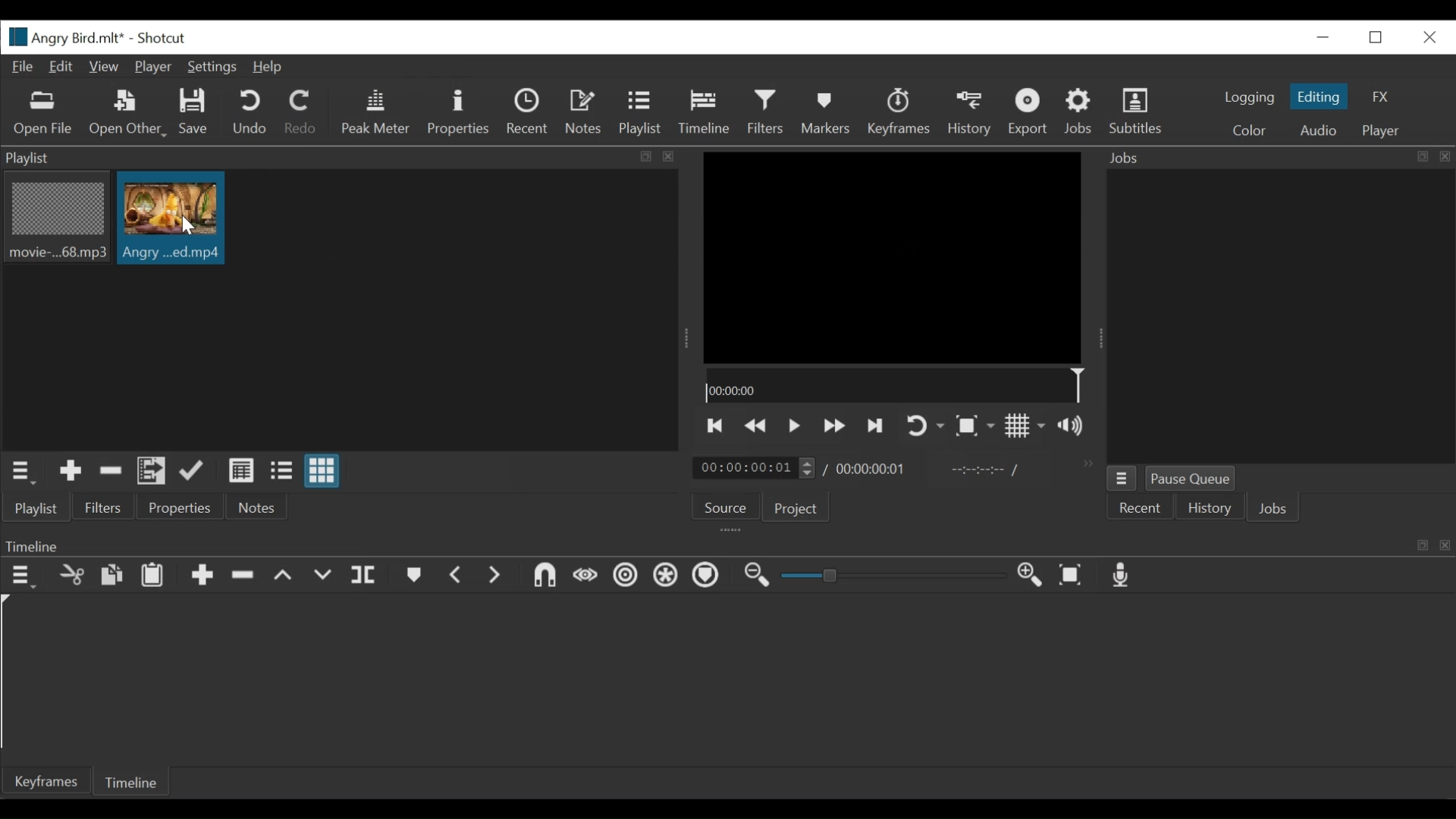 The height and width of the screenshot is (819, 1456). Describe the element at coordinates (585, 578) in the screenshot. I see `Scrub while dragging` at that location.